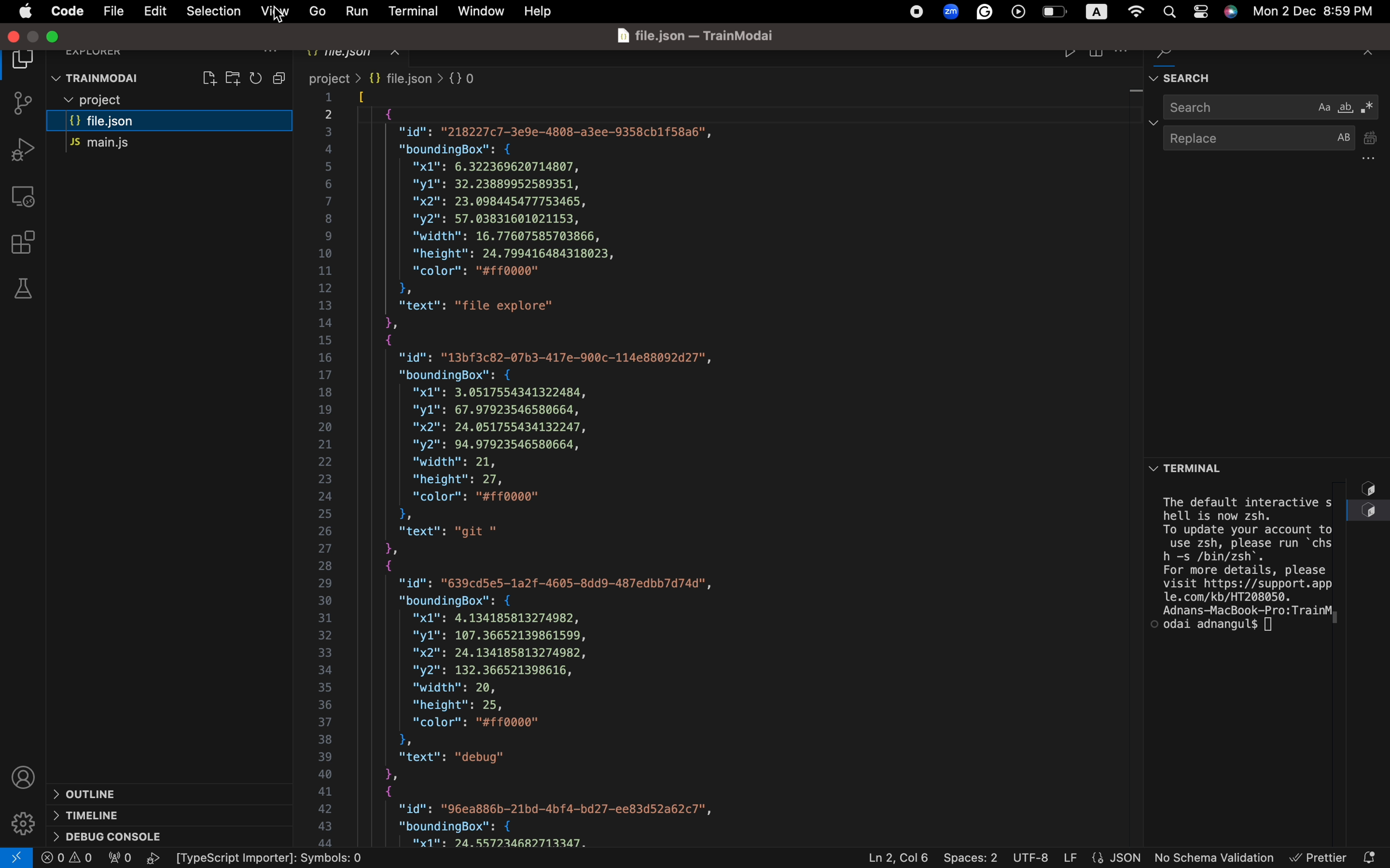 This screenshot has width=1390, height=868. Describe the element at coordinates (119, 816) in the screenshot. I see `timeline` at that location.